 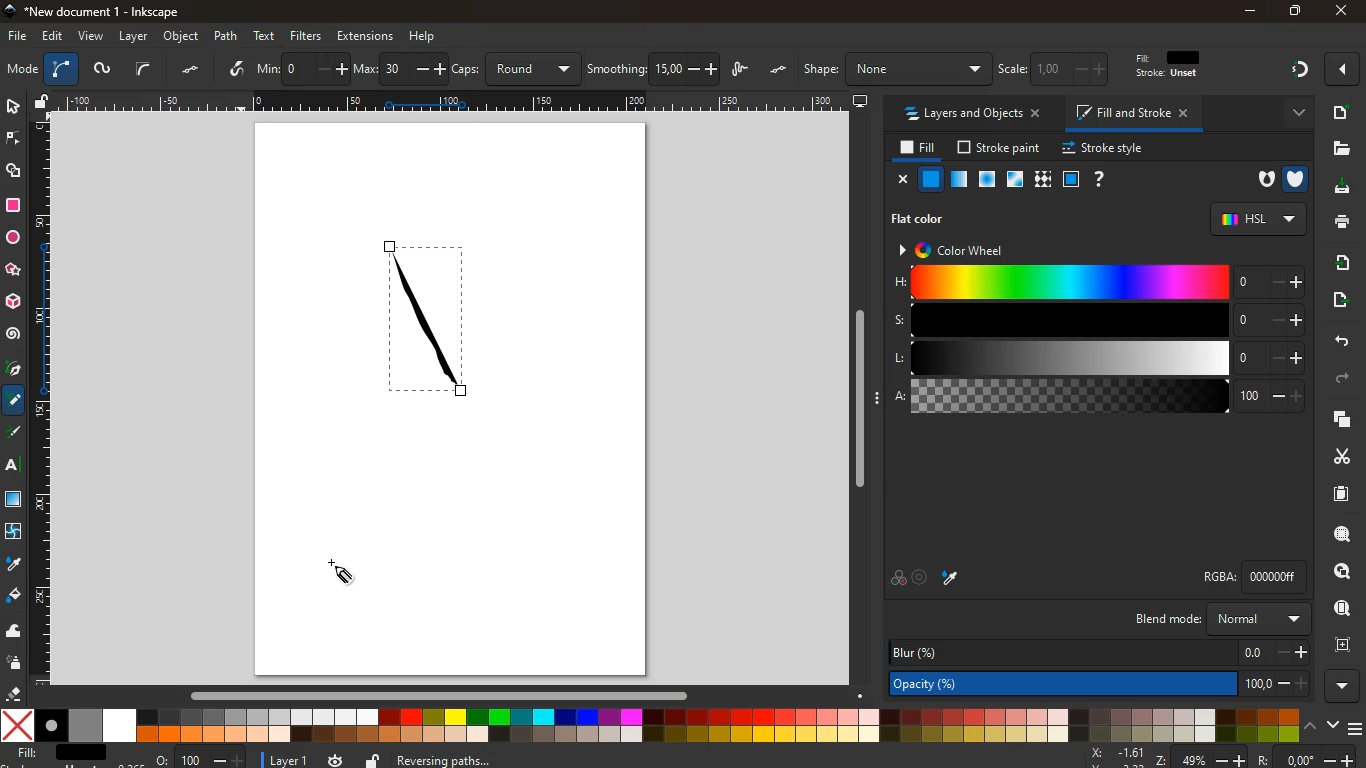 What do you see at coordinates (1296, 13) in the screenshot?
I see `maximize` at bounding box center [1296, 13].